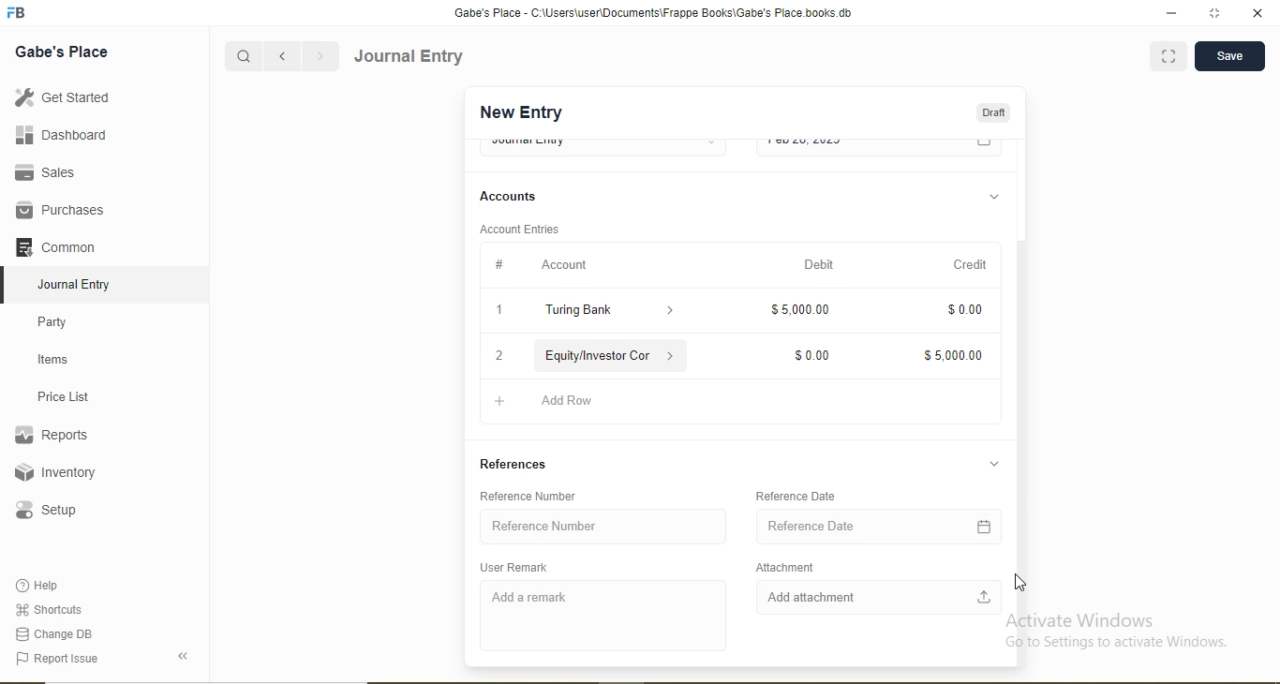 This screenshot has height=684, width=1280. What do you see at coordinates (784, 567) in the screenshot?
I see `Attachment` at bounding box center [784, 567].